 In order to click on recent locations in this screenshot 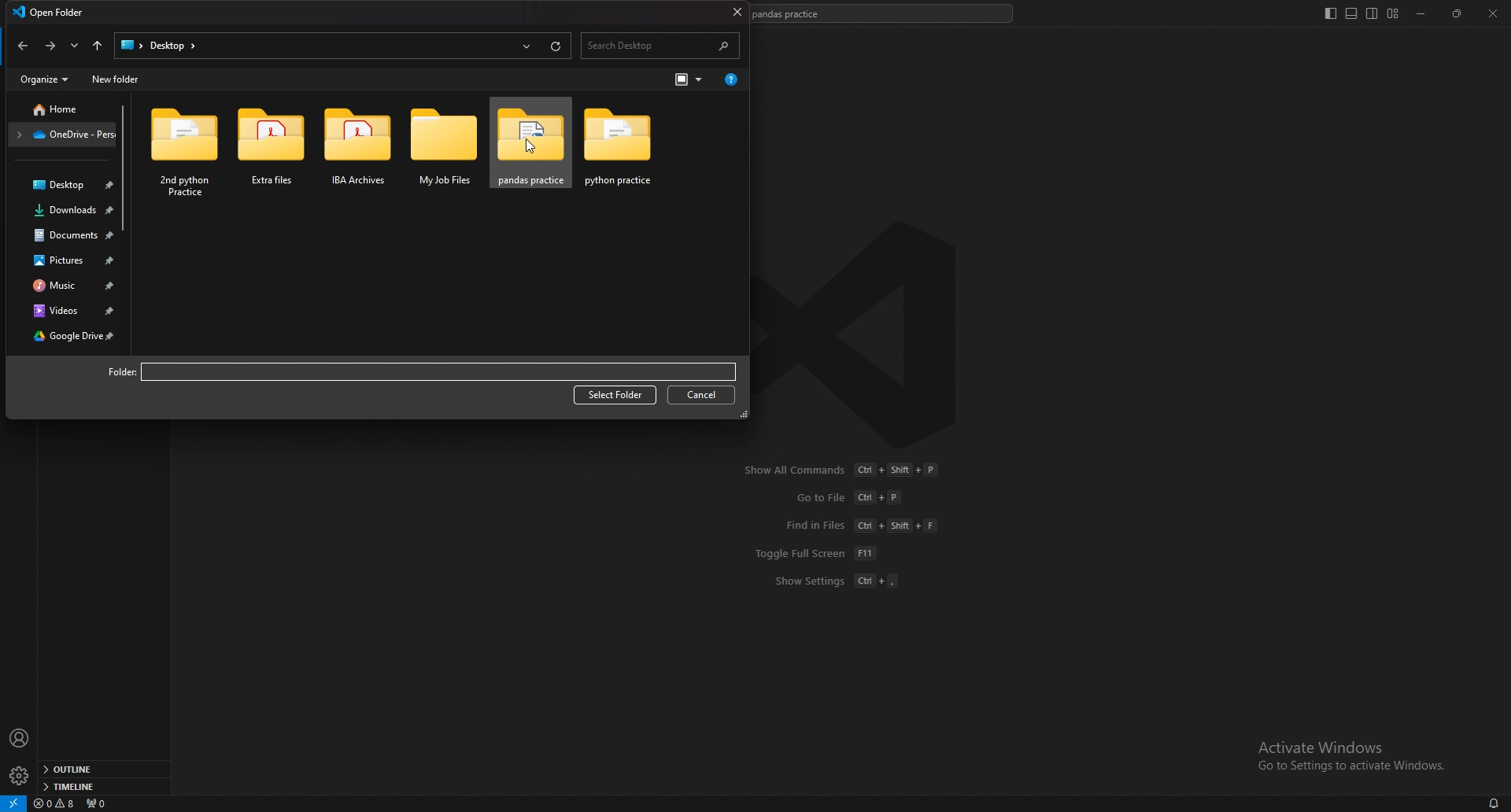, I will do `click(74, 45)`.